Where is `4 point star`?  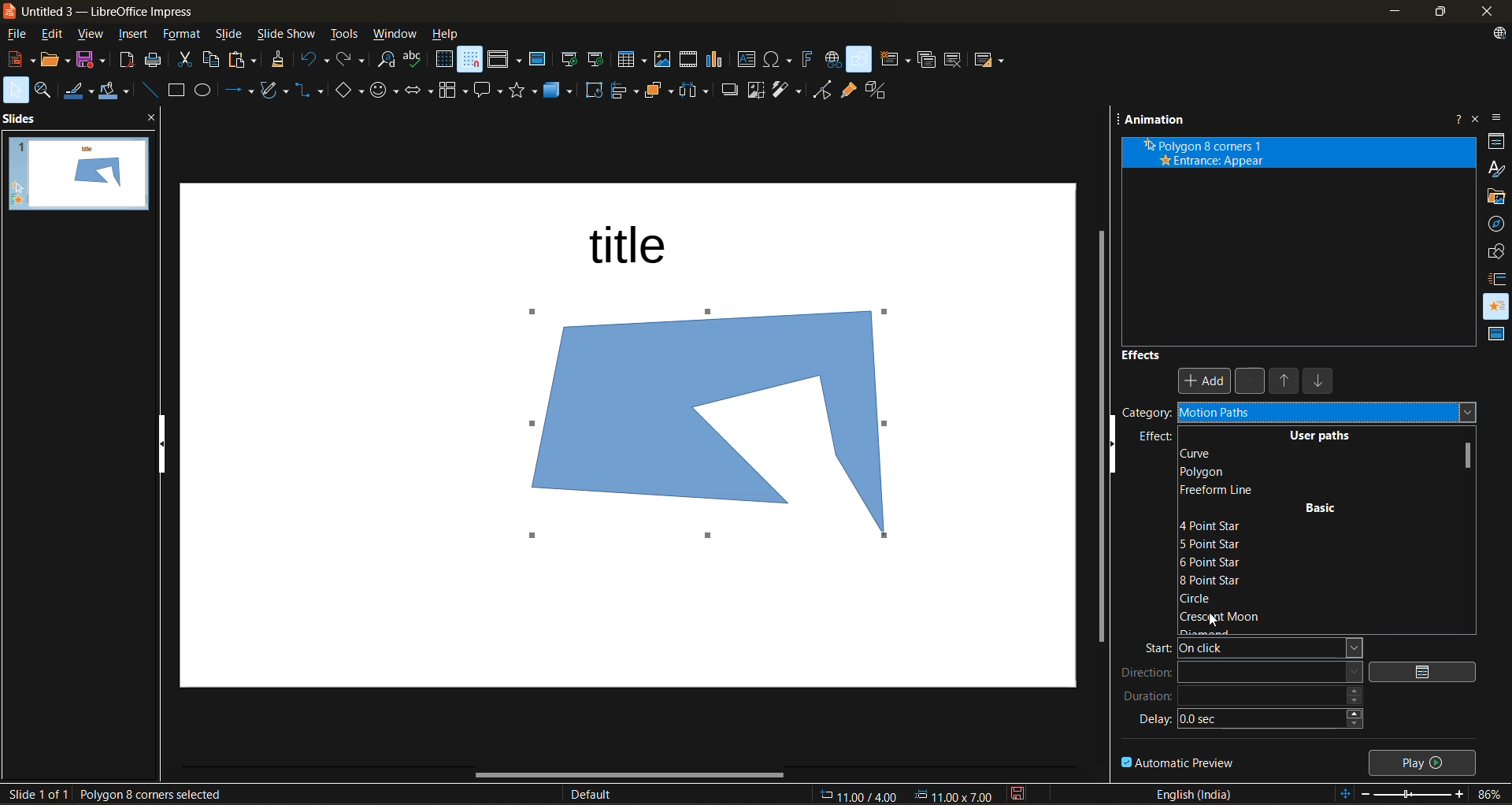
4 point star is located at coordinates (1225, 527).